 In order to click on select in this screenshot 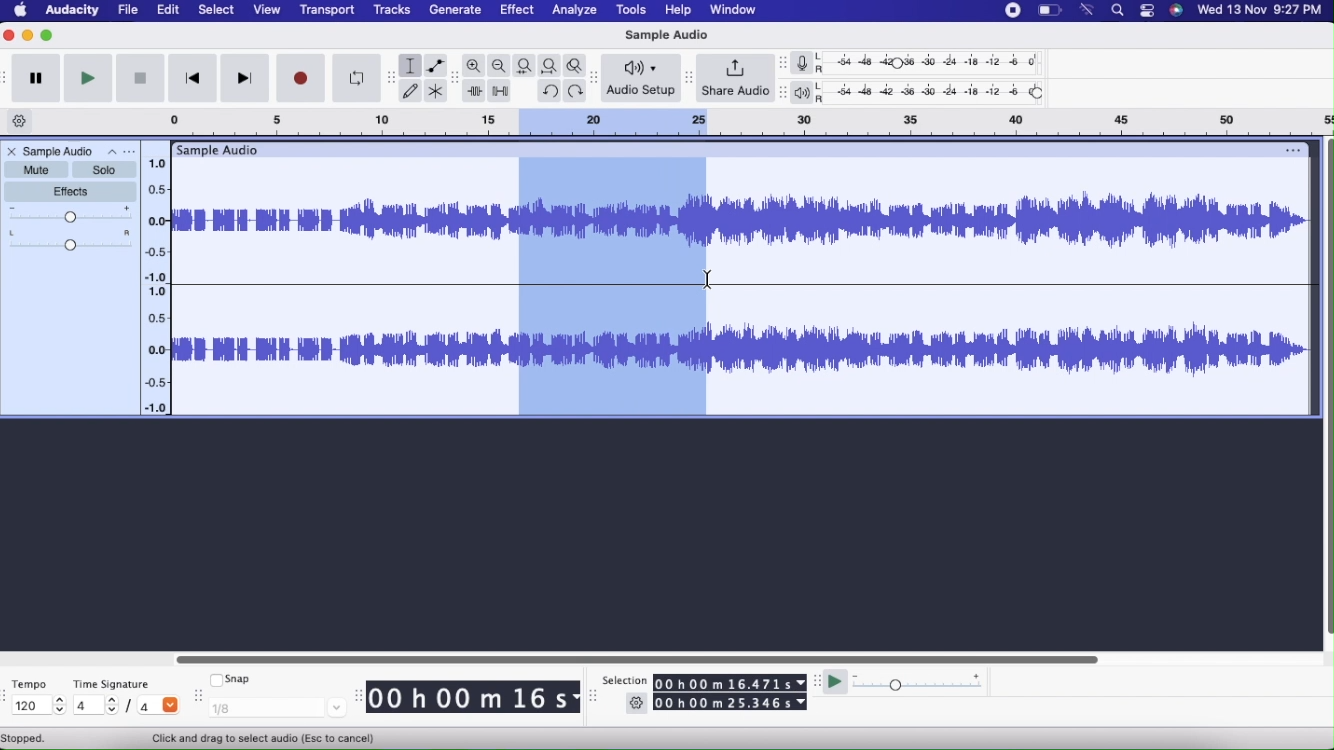, I will do `click(216, 11)`.